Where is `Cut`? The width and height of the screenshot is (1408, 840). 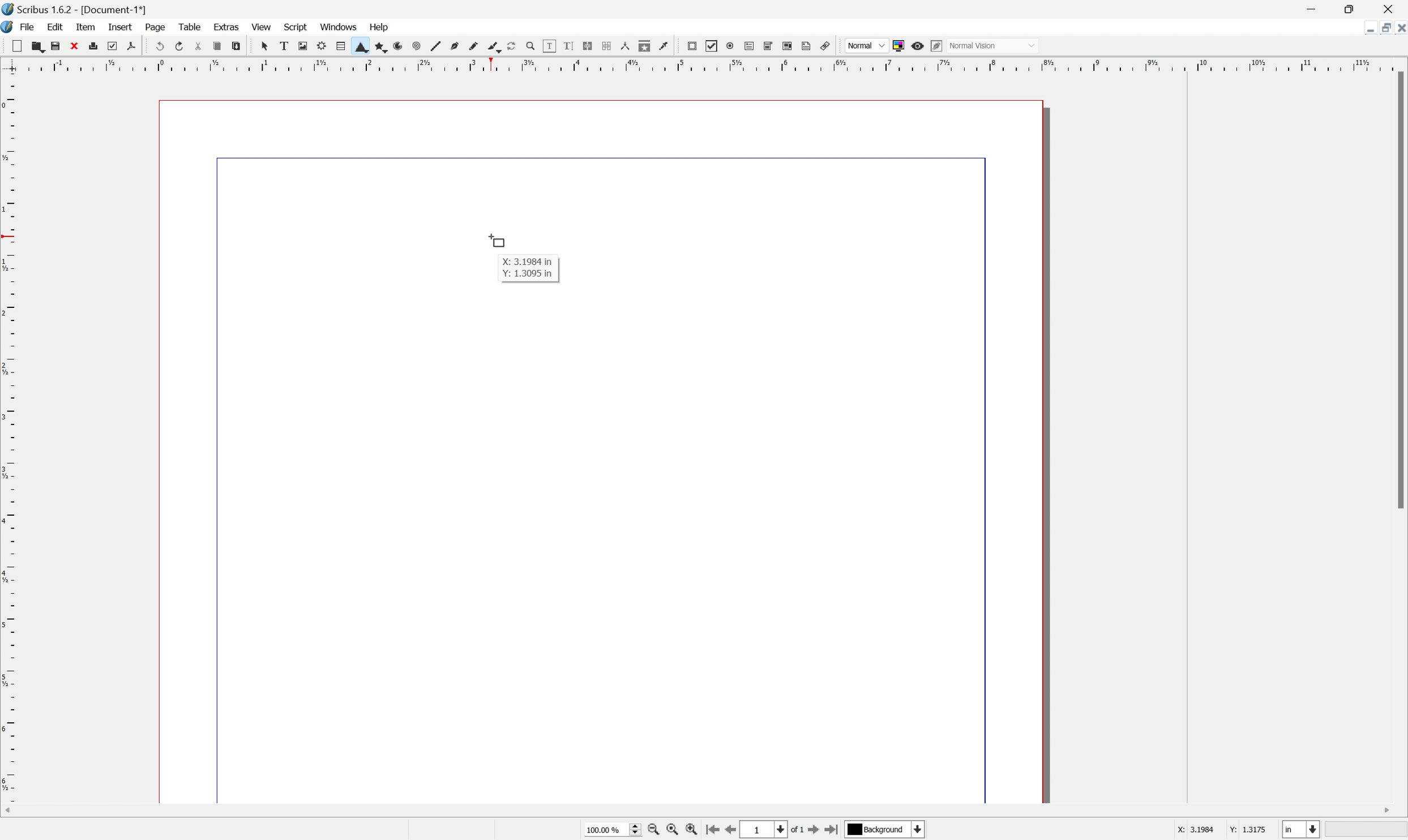 Cut is located at coordinates (196, 46).